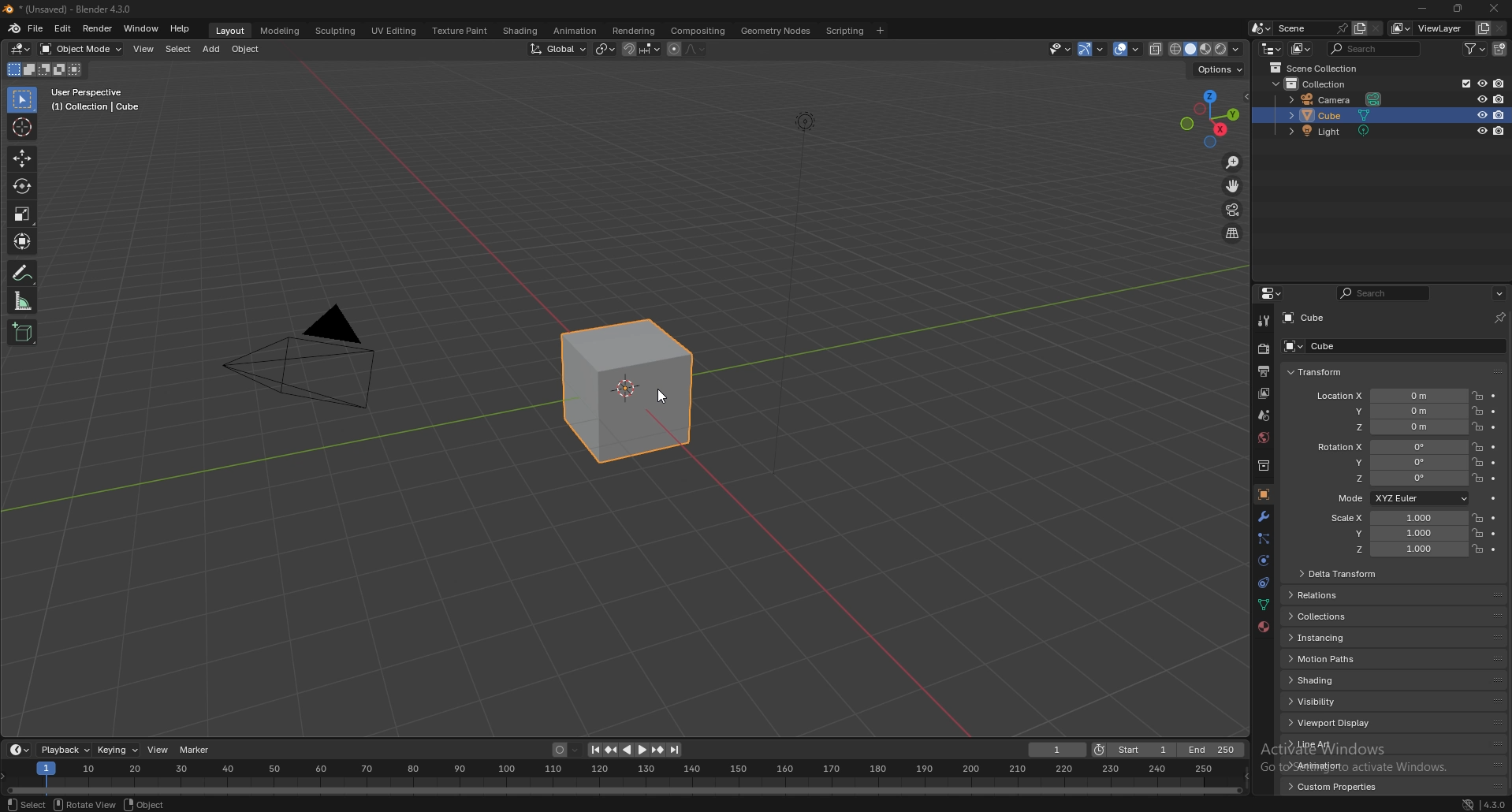 This screenshot has width=1512, height=812. I want to click on shading, so click(521, 32).